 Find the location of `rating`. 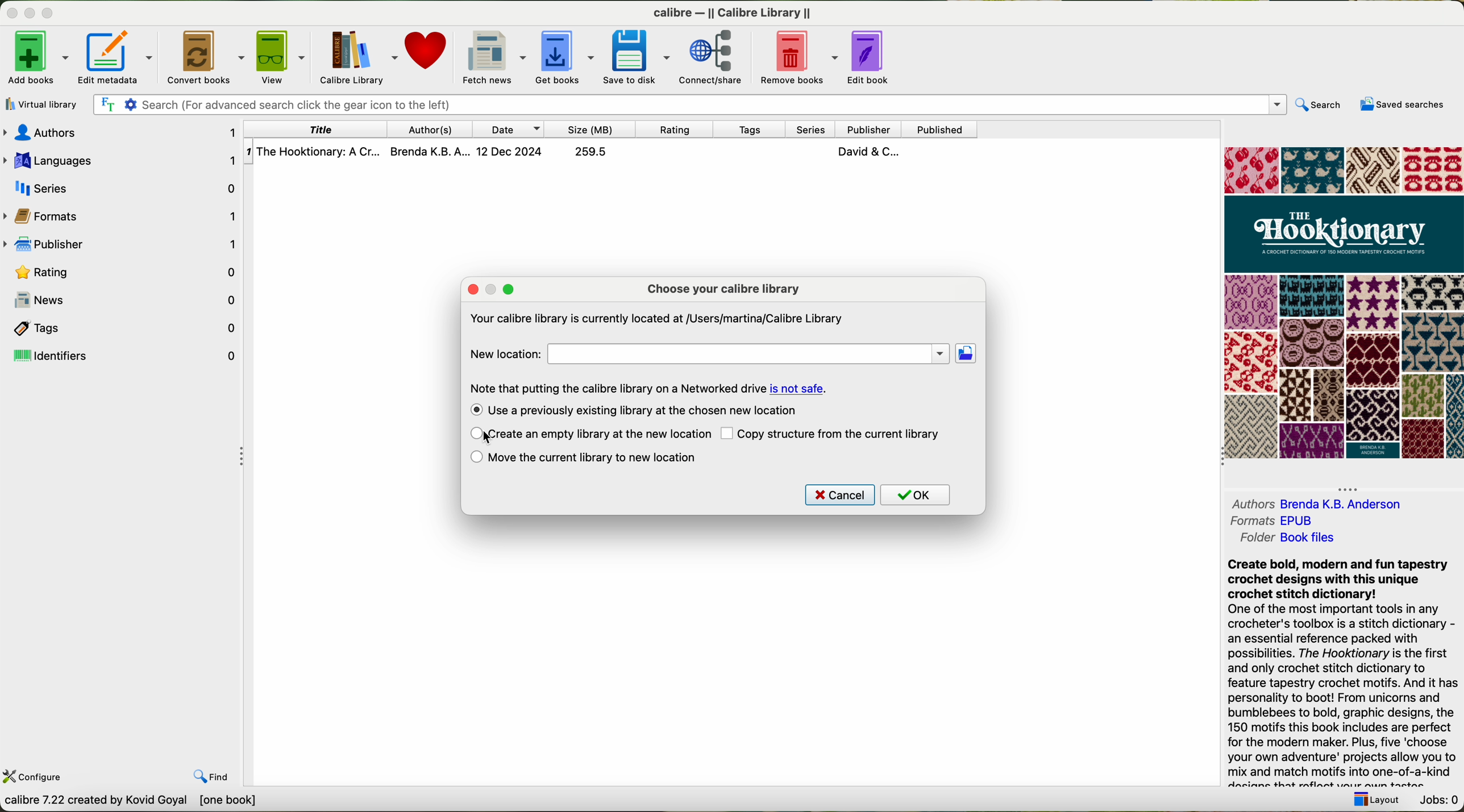

rating is located at coordinates (683, 130).